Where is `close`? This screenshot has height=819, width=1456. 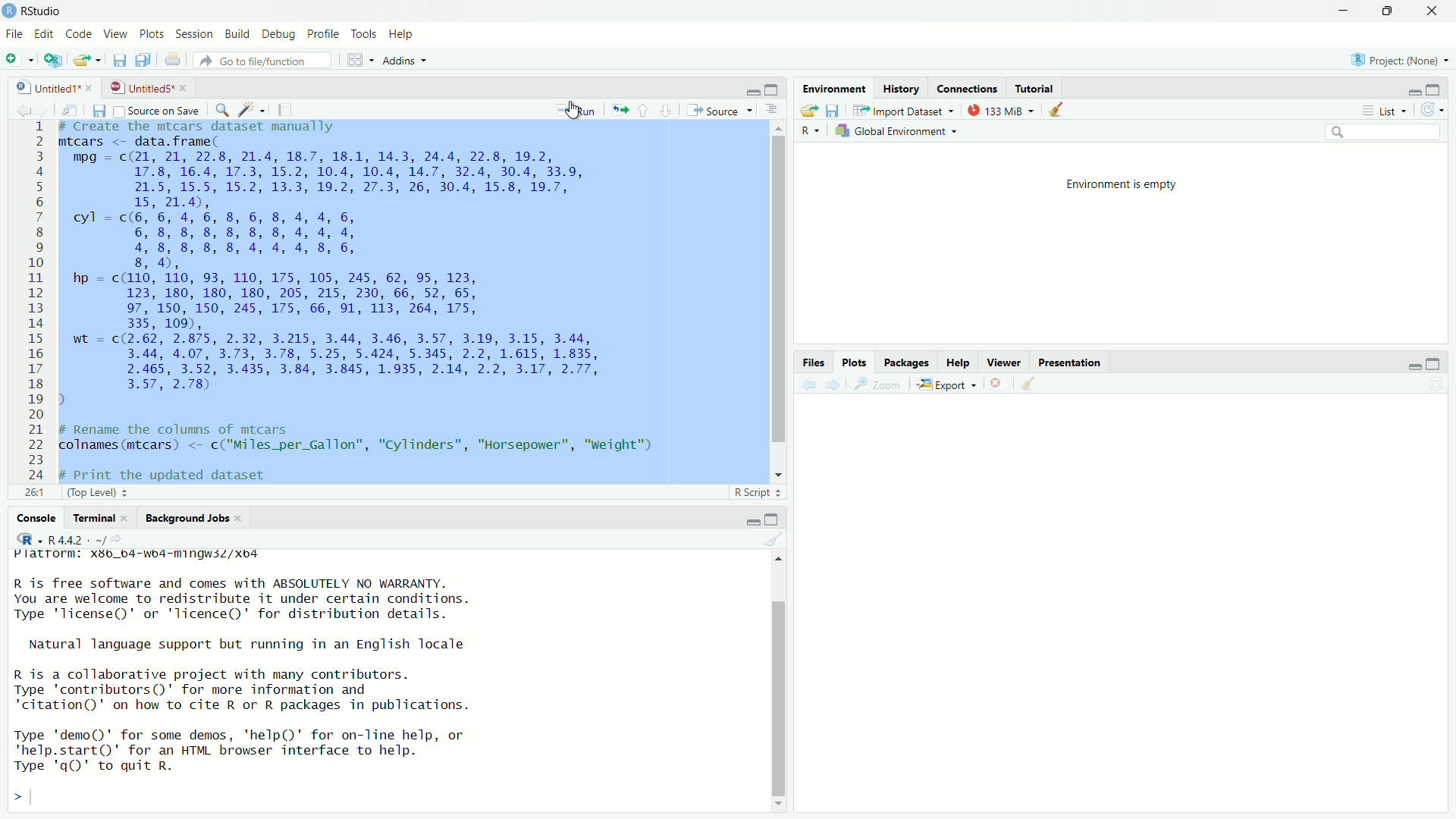
close is located at coordinates (1430, 10).